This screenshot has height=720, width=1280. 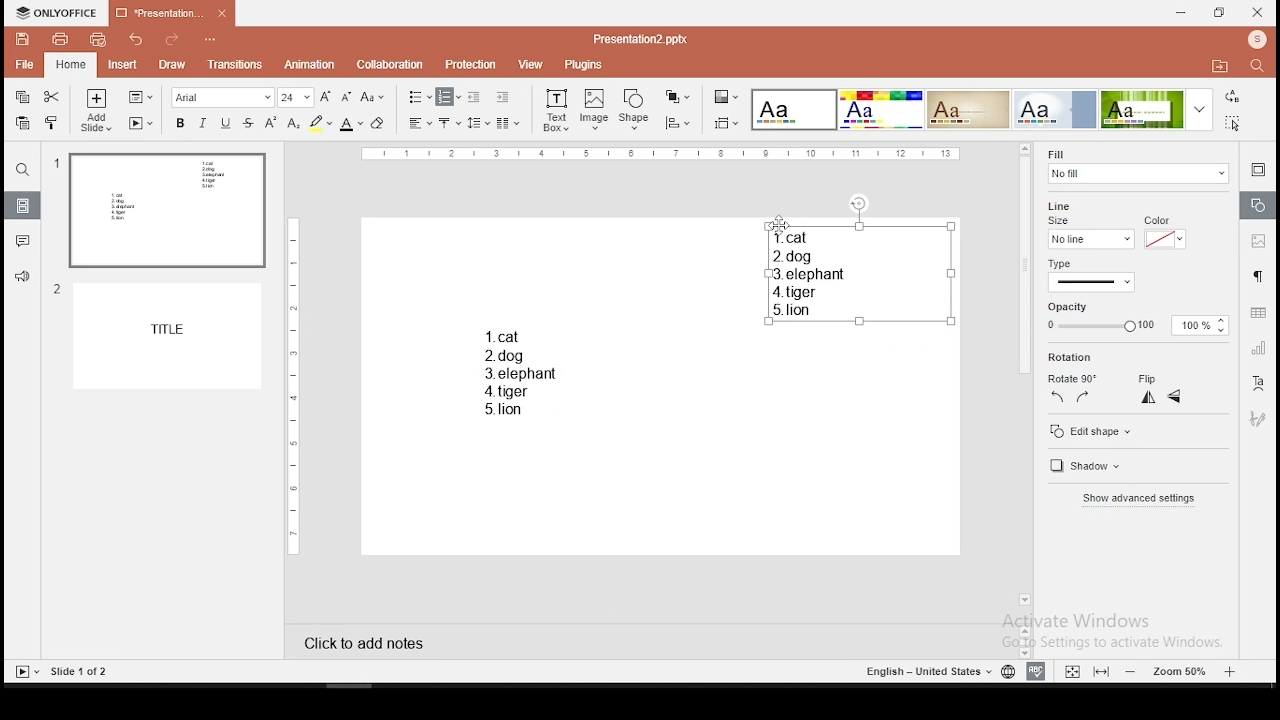 What do you see at coordinates (1144, 499) in the screenshot?
I see `advanced settings` at bounding box center [1144, 499].